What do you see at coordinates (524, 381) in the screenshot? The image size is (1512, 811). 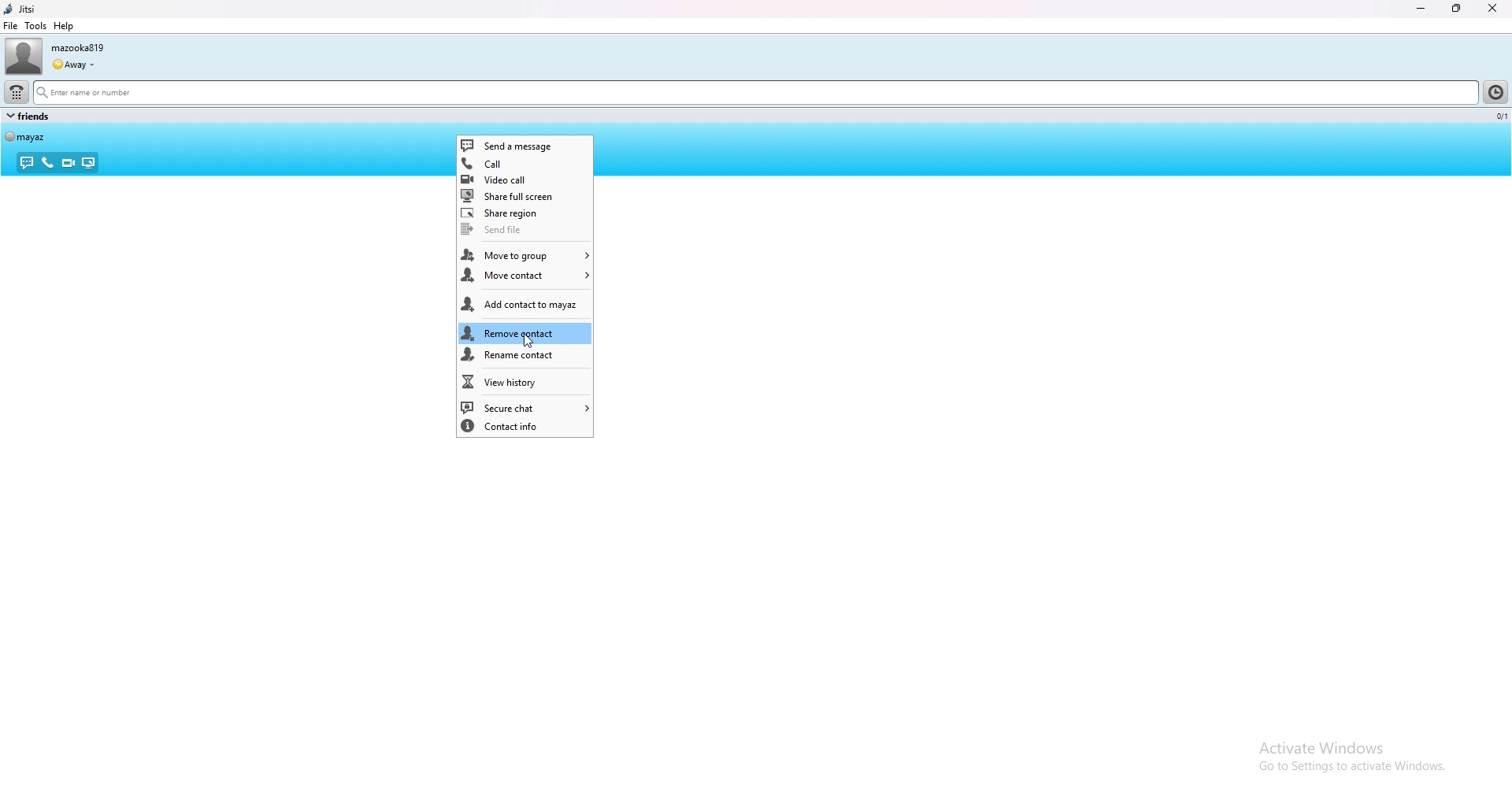 I see `view history` at bounding box center [524, 381].